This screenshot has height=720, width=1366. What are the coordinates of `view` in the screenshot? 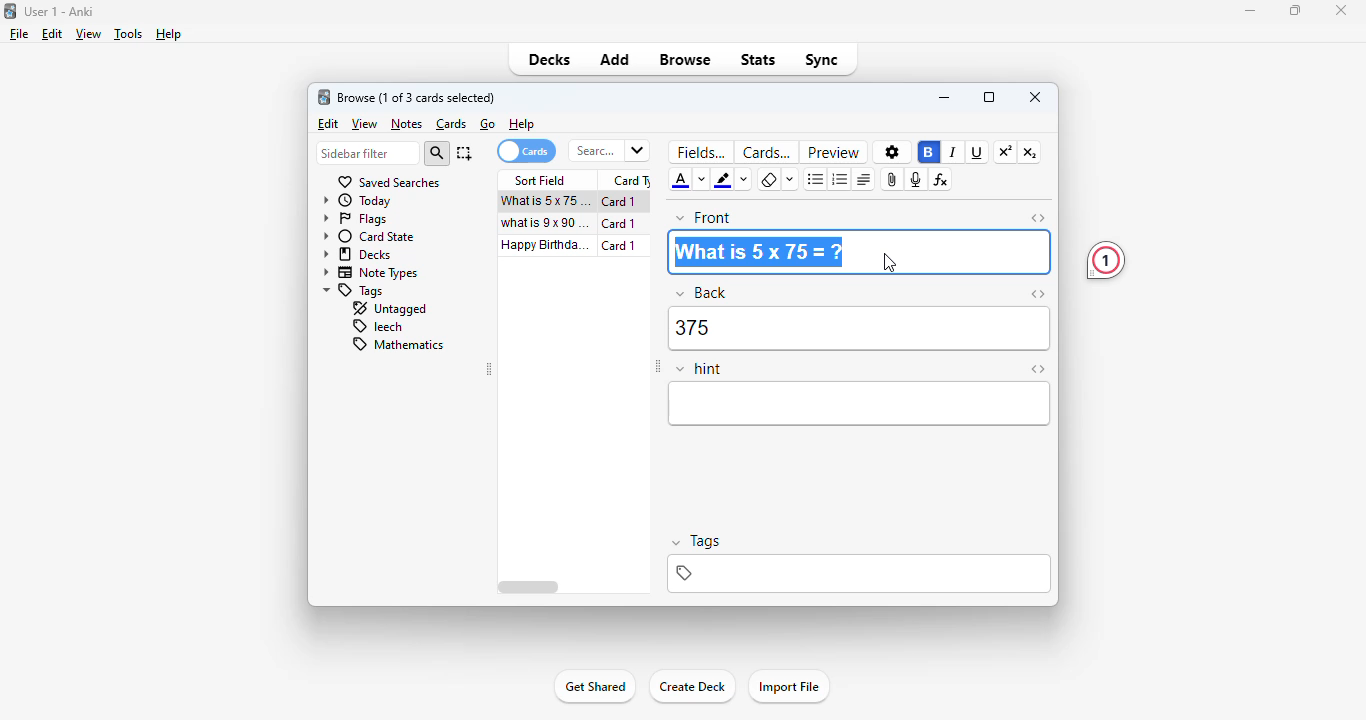 It's located at (90, 34).